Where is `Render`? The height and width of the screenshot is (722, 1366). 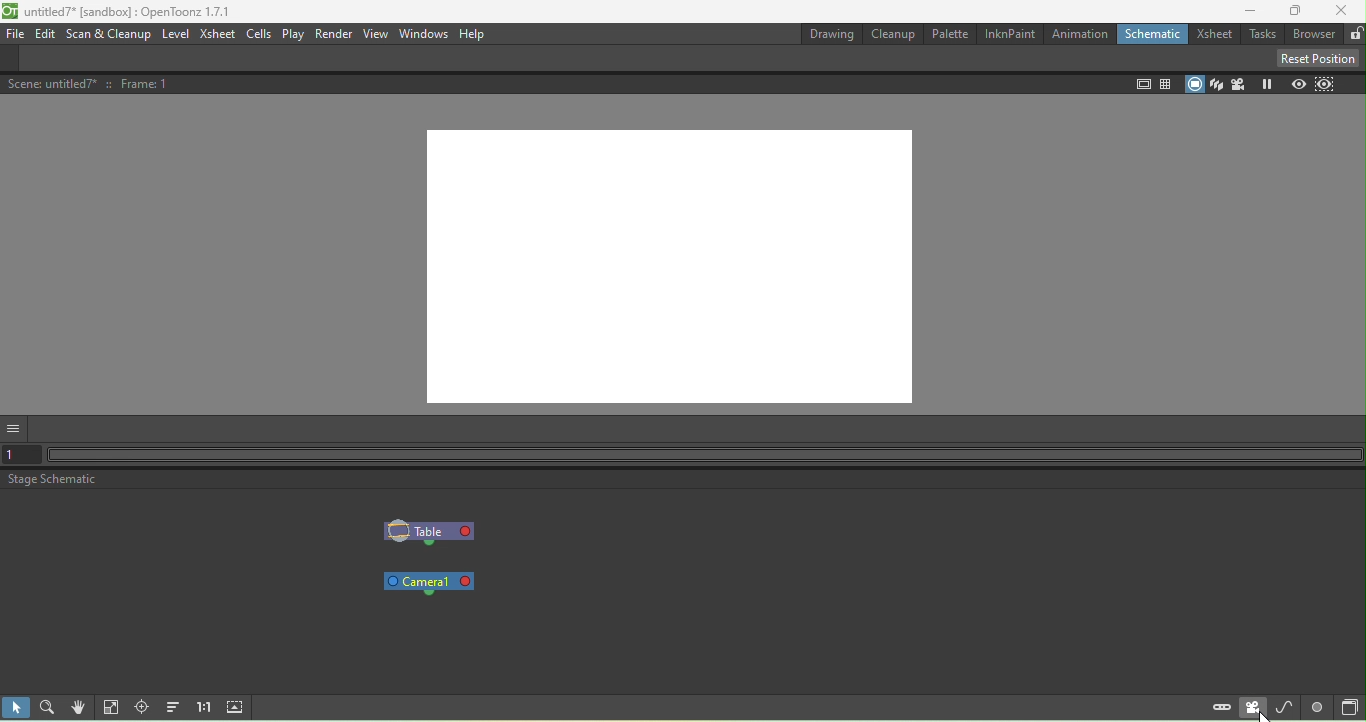 Render is located at coordinates (334, 34).